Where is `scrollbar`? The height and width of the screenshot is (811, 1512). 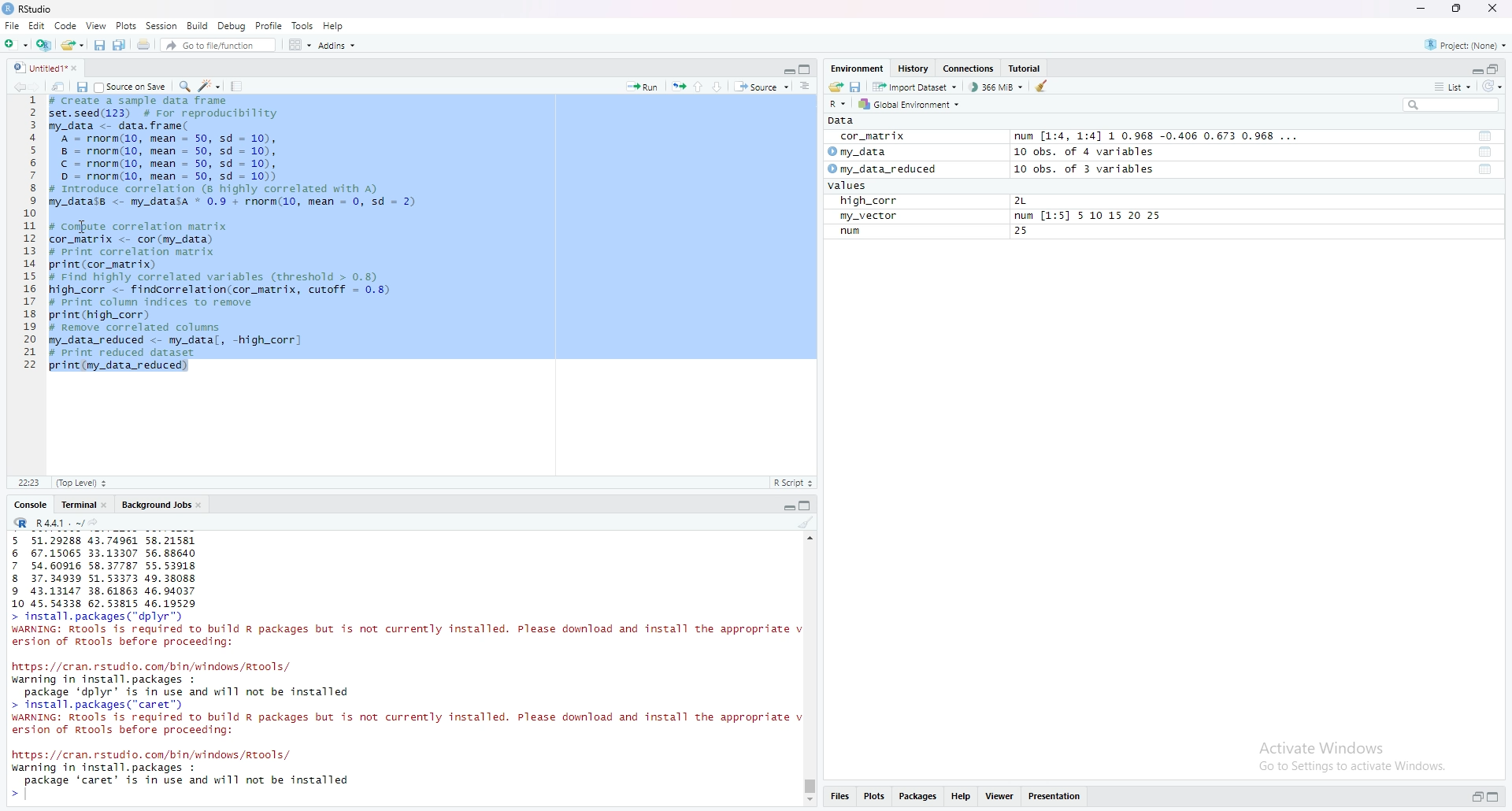
scrollbar is located at coordinates (812, 669).